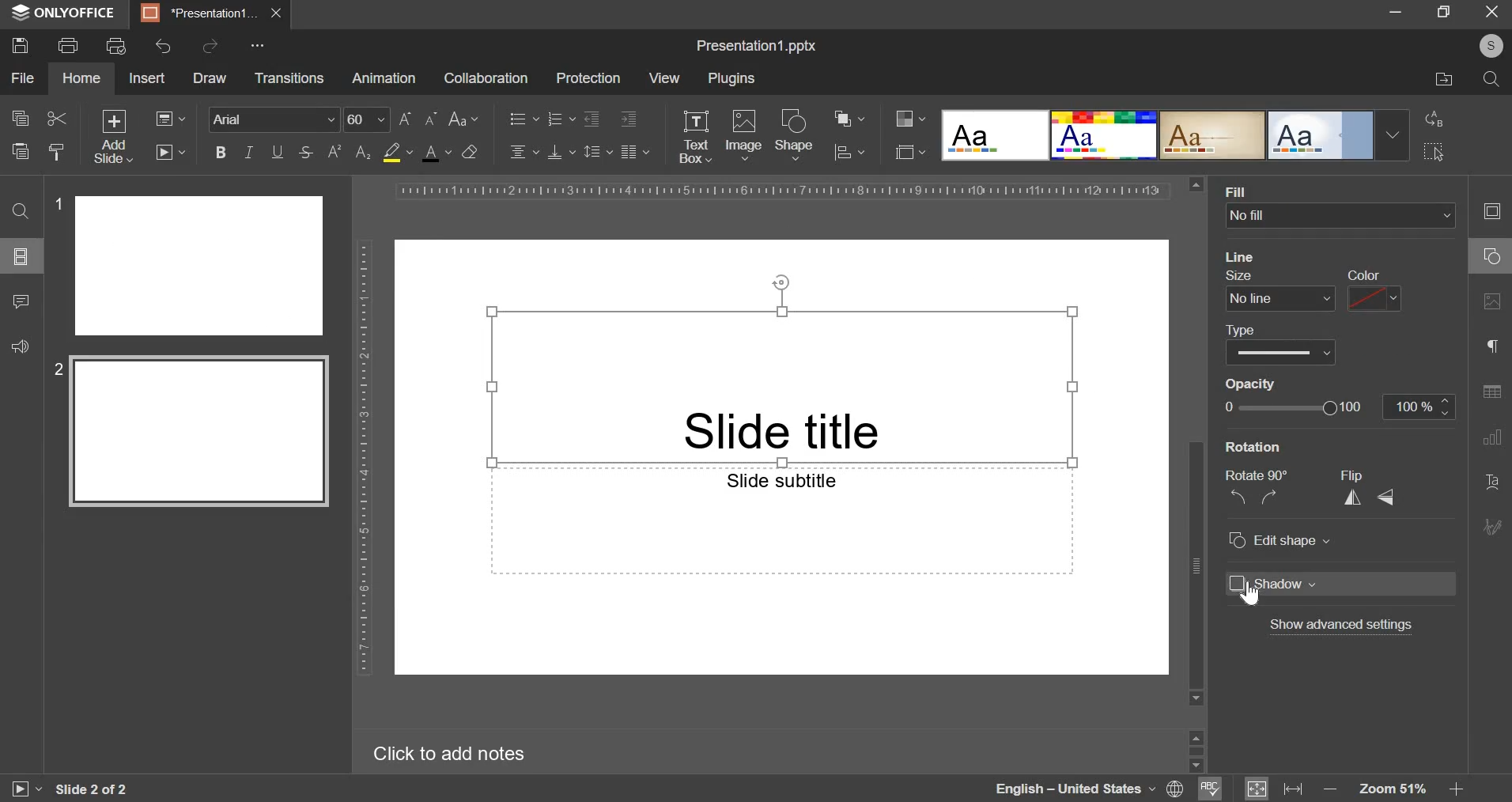 The image size is (1512, 802). Describe the element at coordinates (849, 119) in the screenshot. I see `arrange` at that location.